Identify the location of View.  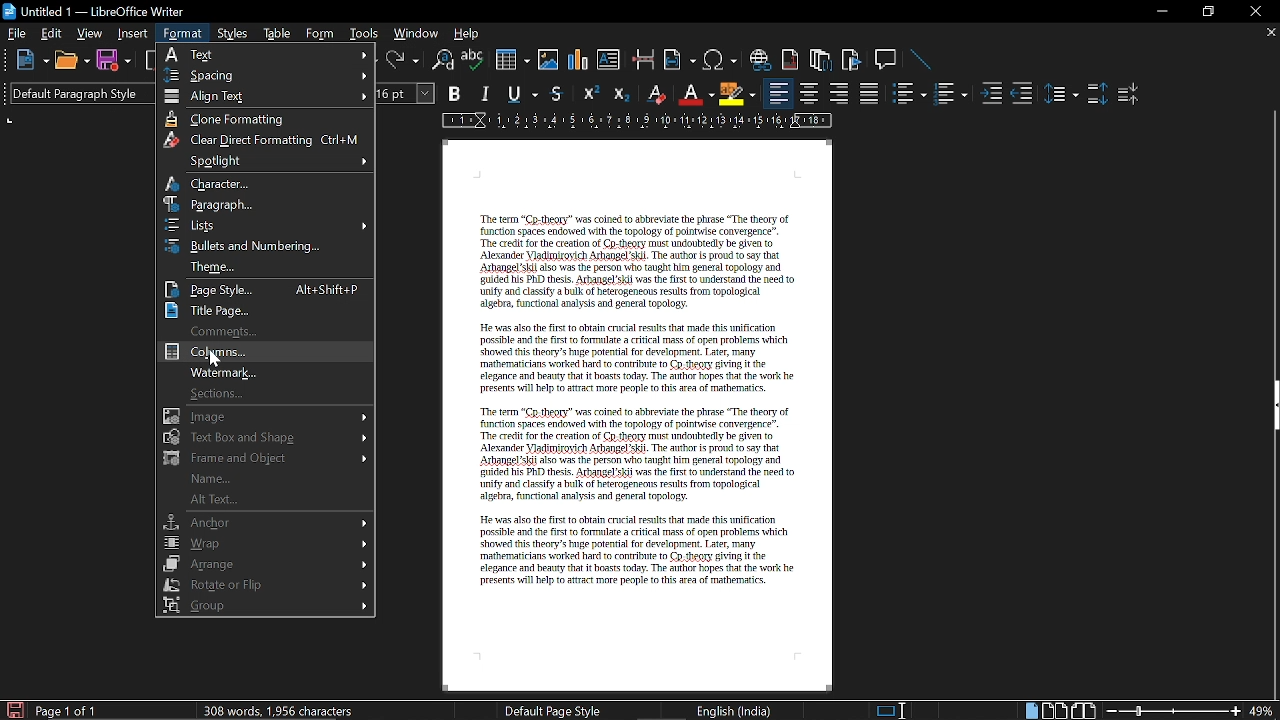
(88, 34).